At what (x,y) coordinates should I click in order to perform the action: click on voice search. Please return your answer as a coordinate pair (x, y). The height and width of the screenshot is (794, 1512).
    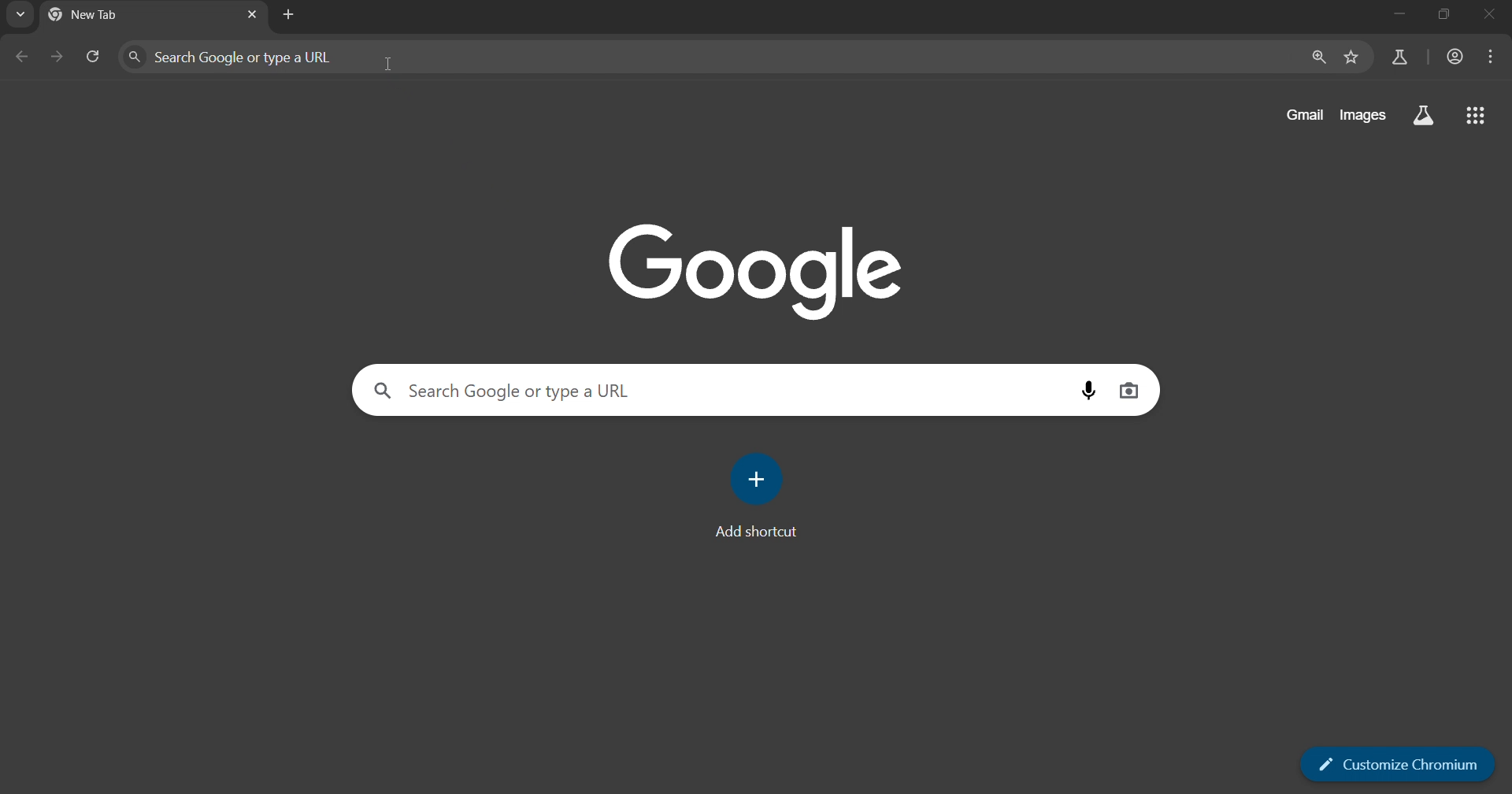
    Looking at the image, I should click on (1081, 390).